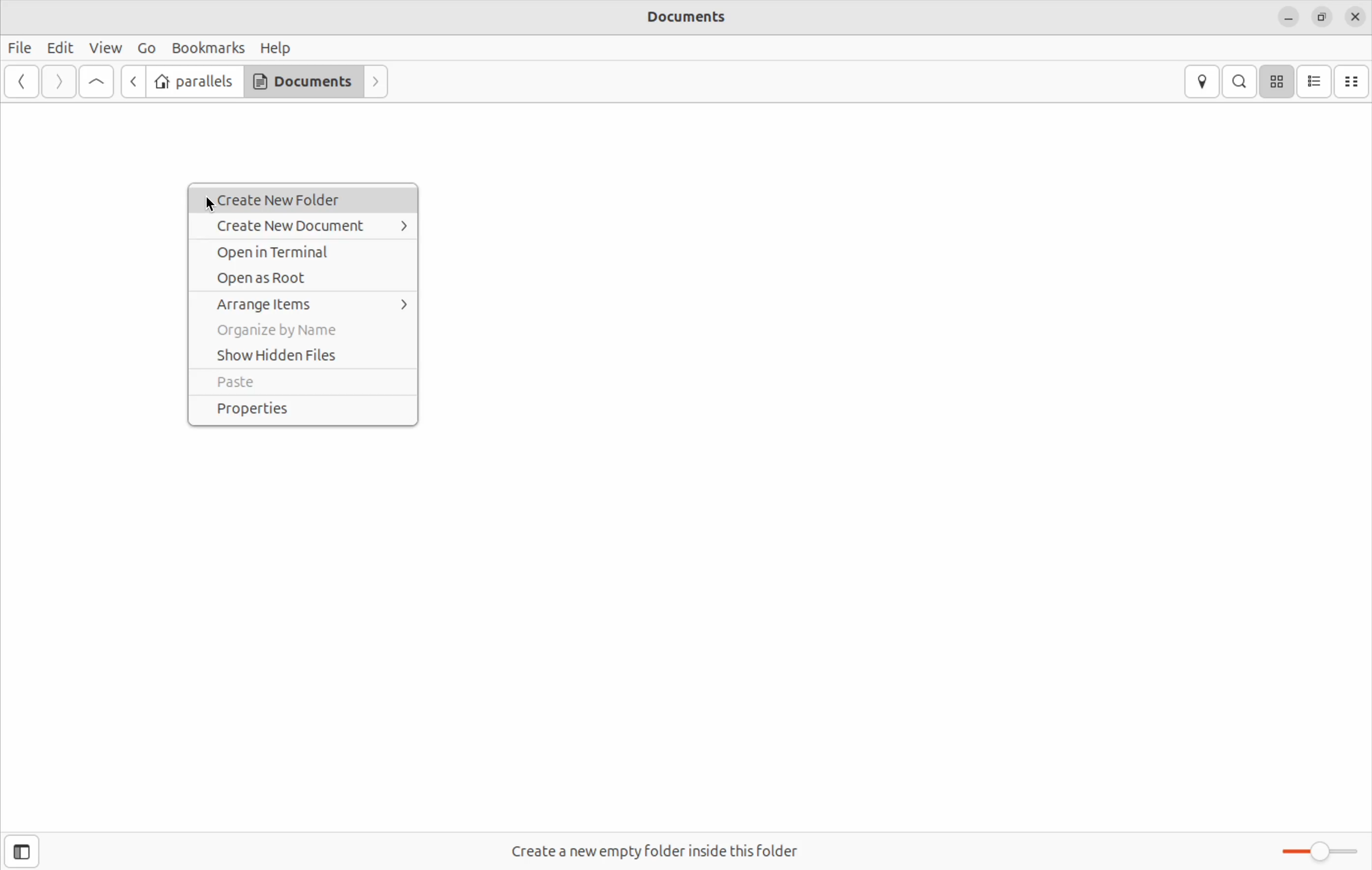  What do you see at coordinates (1315, 851) in the screenshot?
I see `Zoom` at bounding box center [1315, 851].